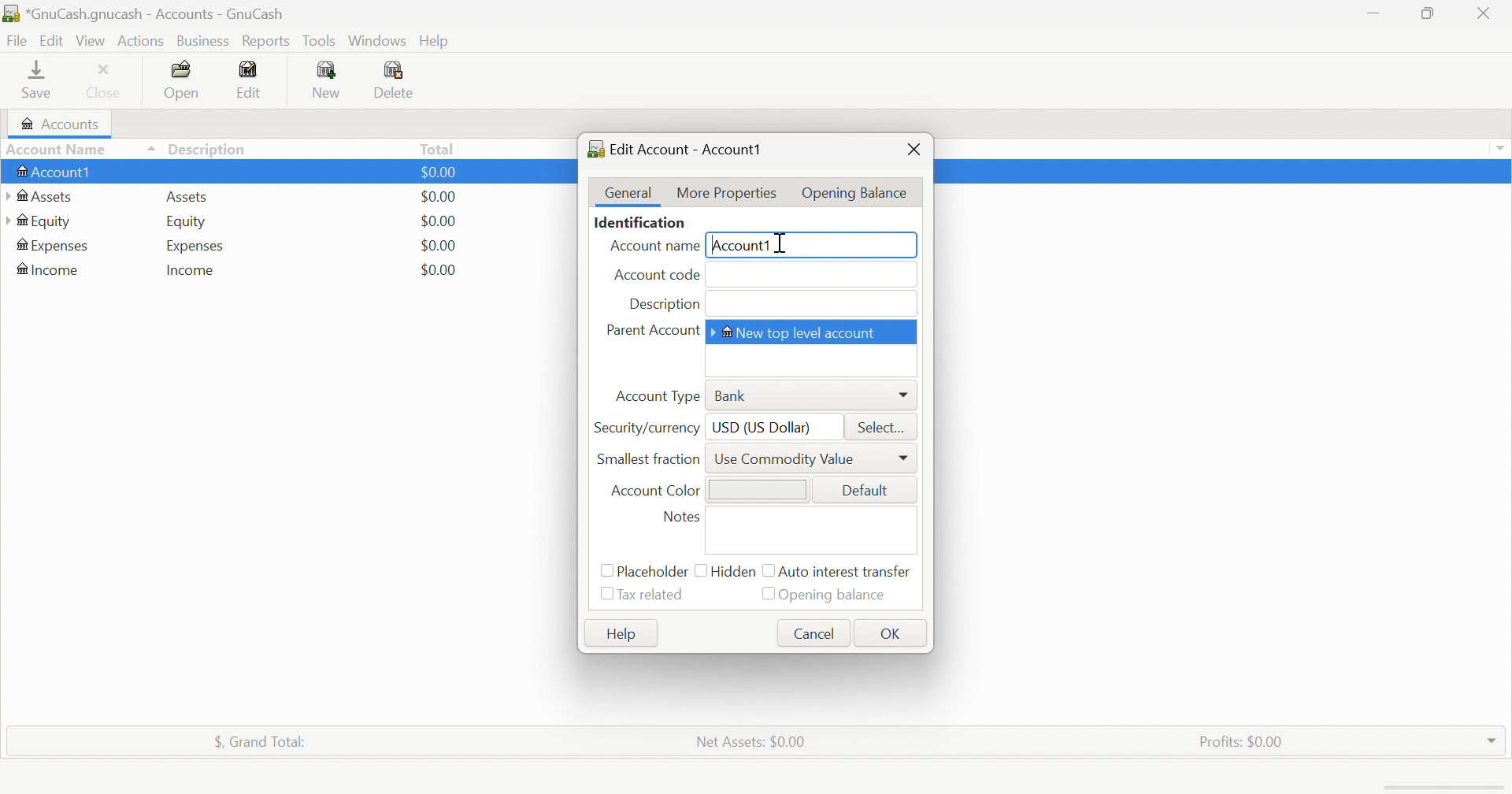 The image size is (1512, 794). What do you see at coordinates (682, 149) in the screenshot?
I see `Edit Account - Account1` at bounding box center [682, 149].